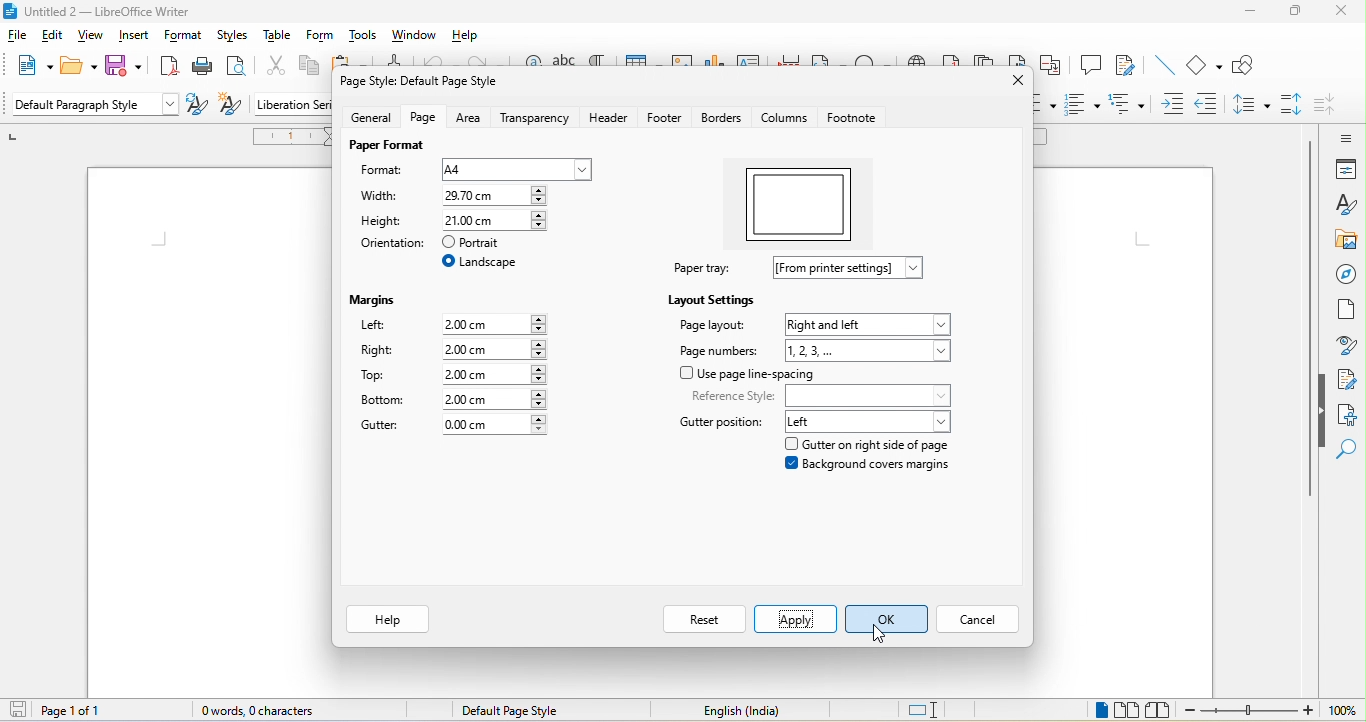  I want to click on paper tray, so click(705, 268).